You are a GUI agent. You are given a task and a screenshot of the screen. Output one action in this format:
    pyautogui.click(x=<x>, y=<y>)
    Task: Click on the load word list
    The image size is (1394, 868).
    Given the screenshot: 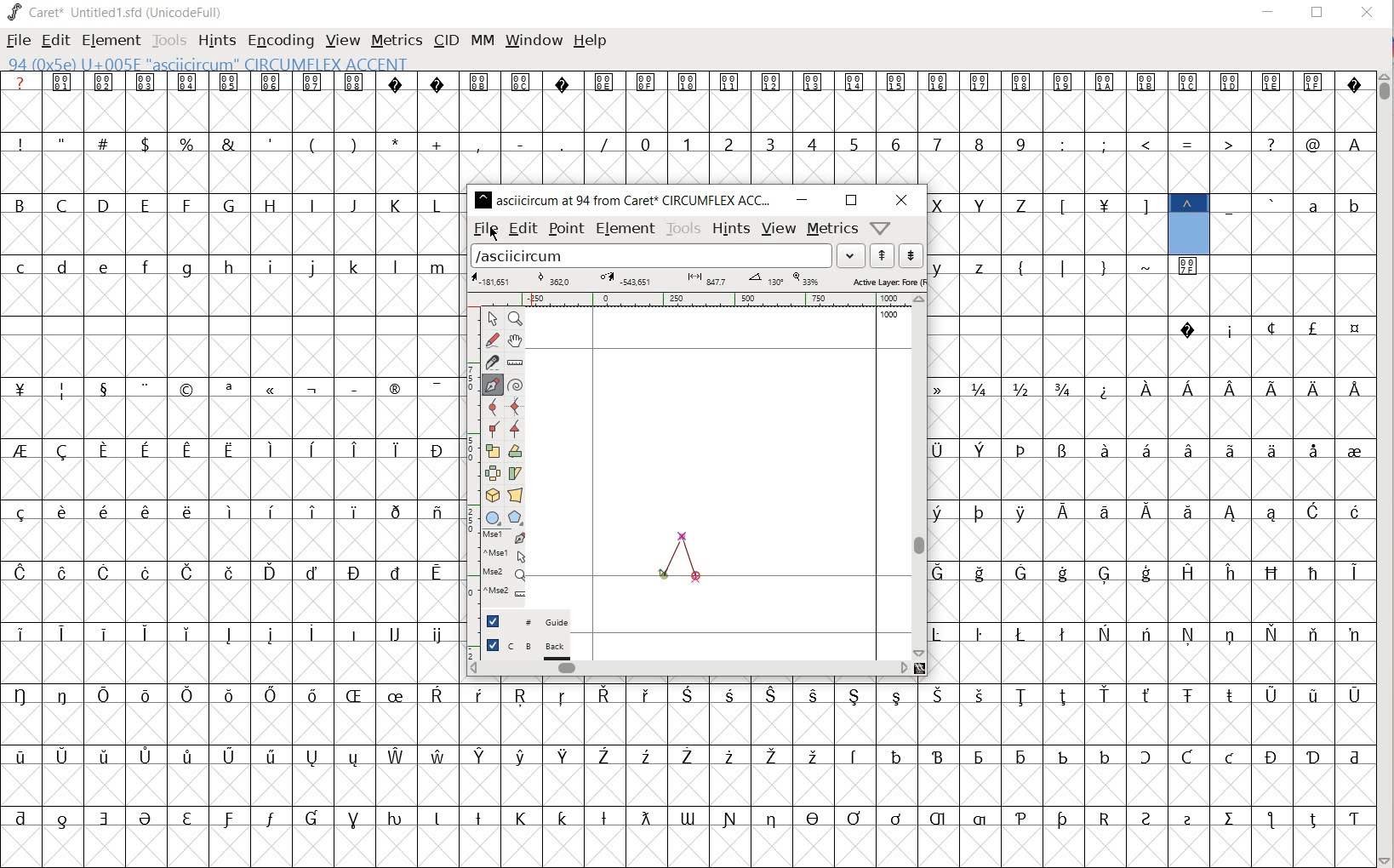 What is the action you would take?
    pyautogui.click(x=667, y=257)
    